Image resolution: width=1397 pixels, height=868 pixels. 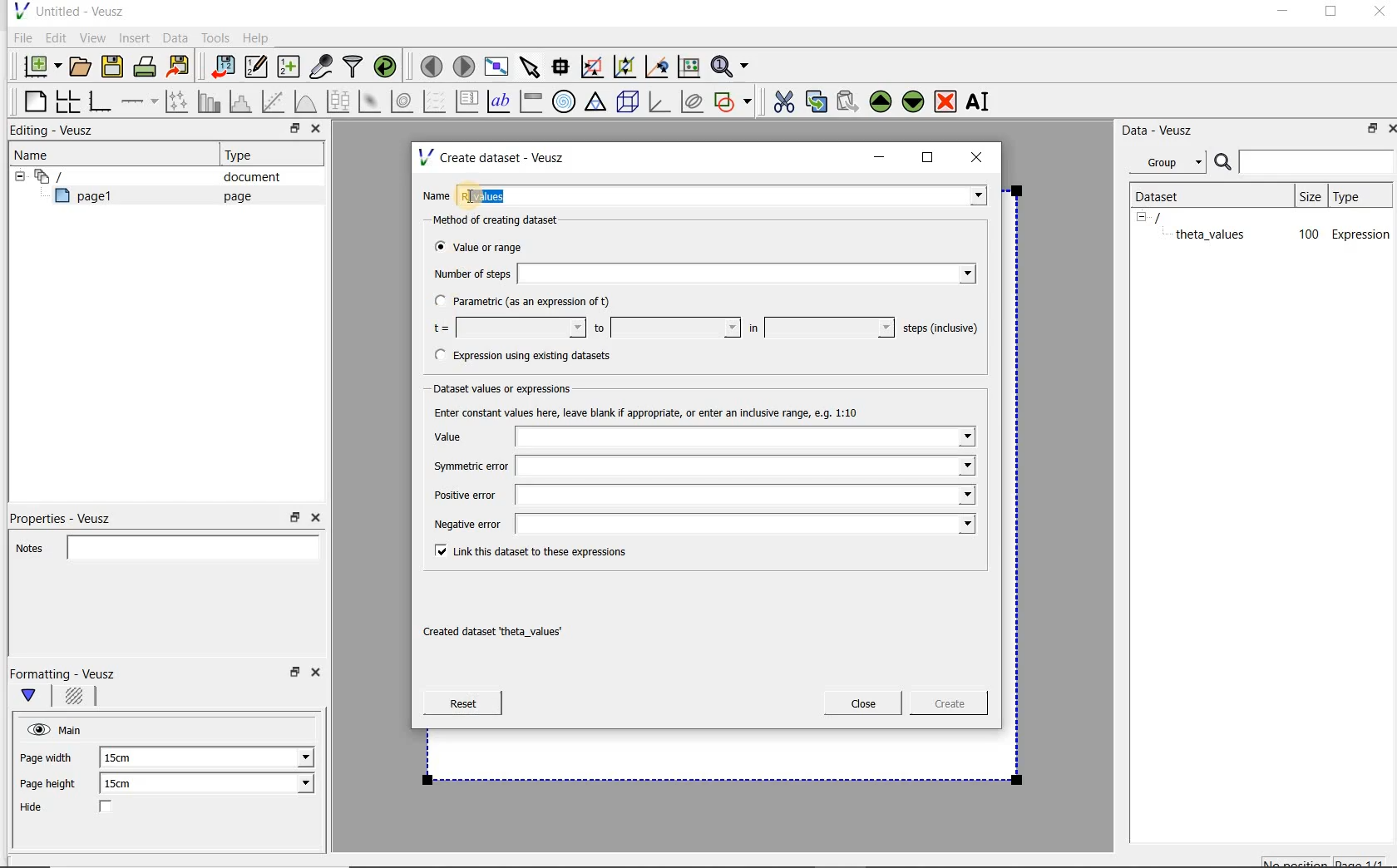 I want to click on 15cm, so click(x=128, y=784).